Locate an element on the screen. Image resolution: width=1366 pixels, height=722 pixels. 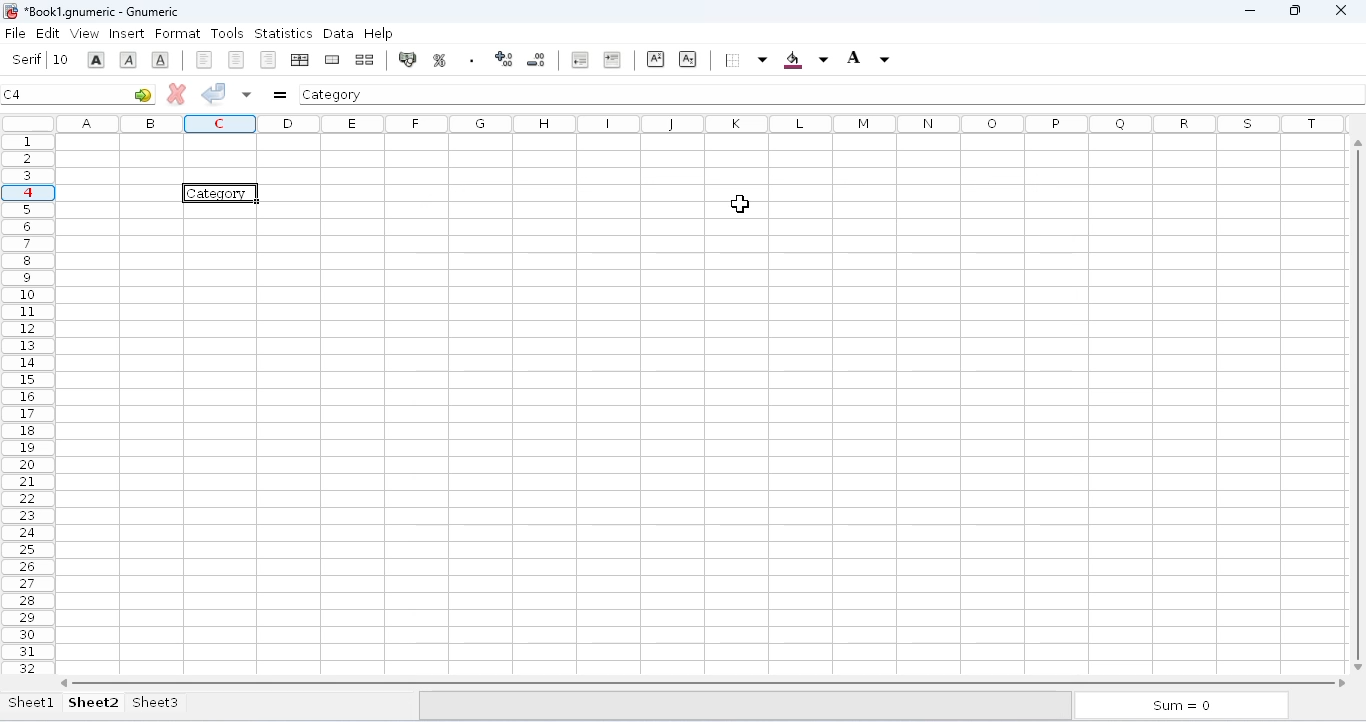
sheet1 is located at coordinates (32, 702).